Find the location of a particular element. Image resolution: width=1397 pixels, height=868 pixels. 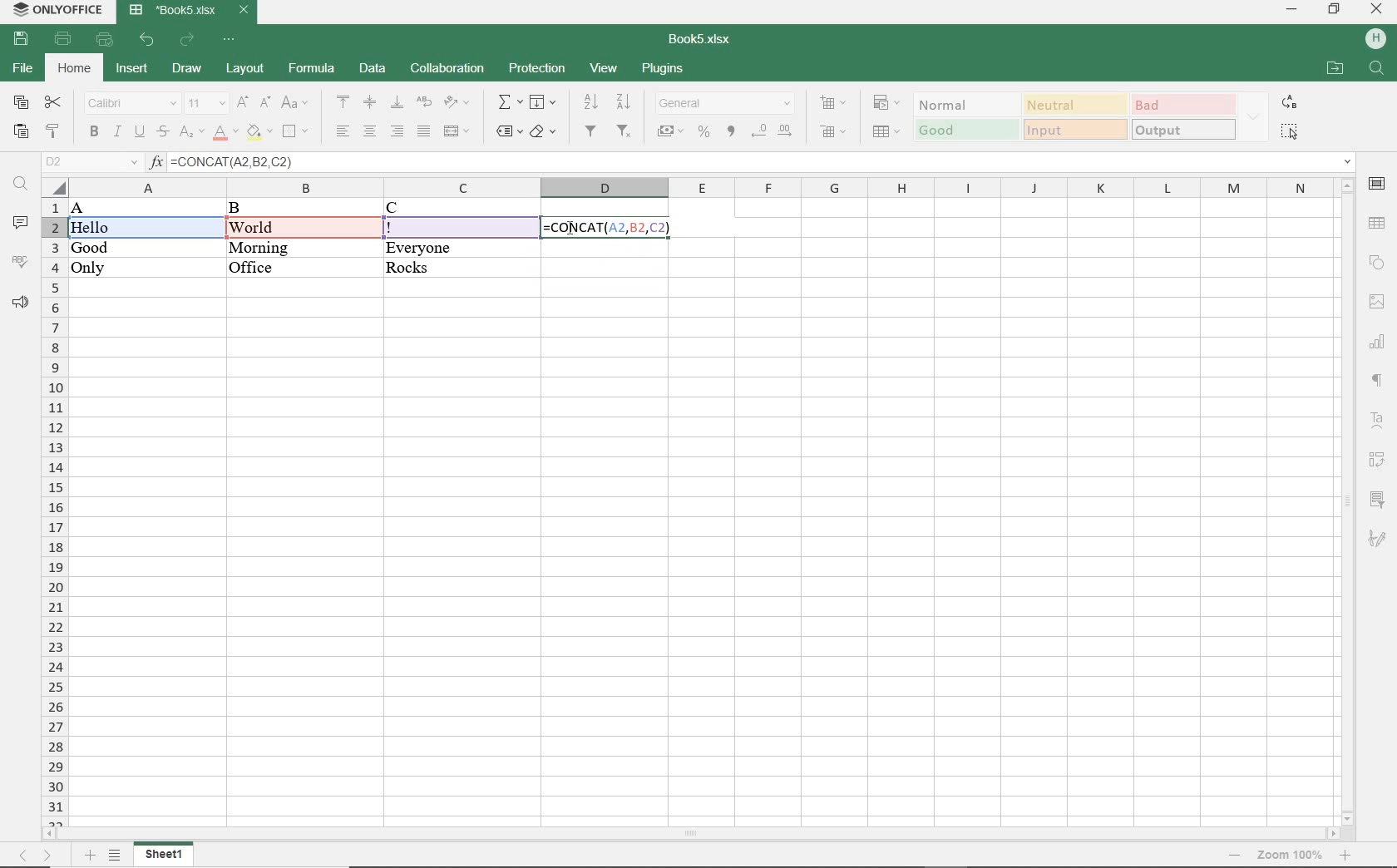

DELETE CELLS is located at coordinates (833, 133).